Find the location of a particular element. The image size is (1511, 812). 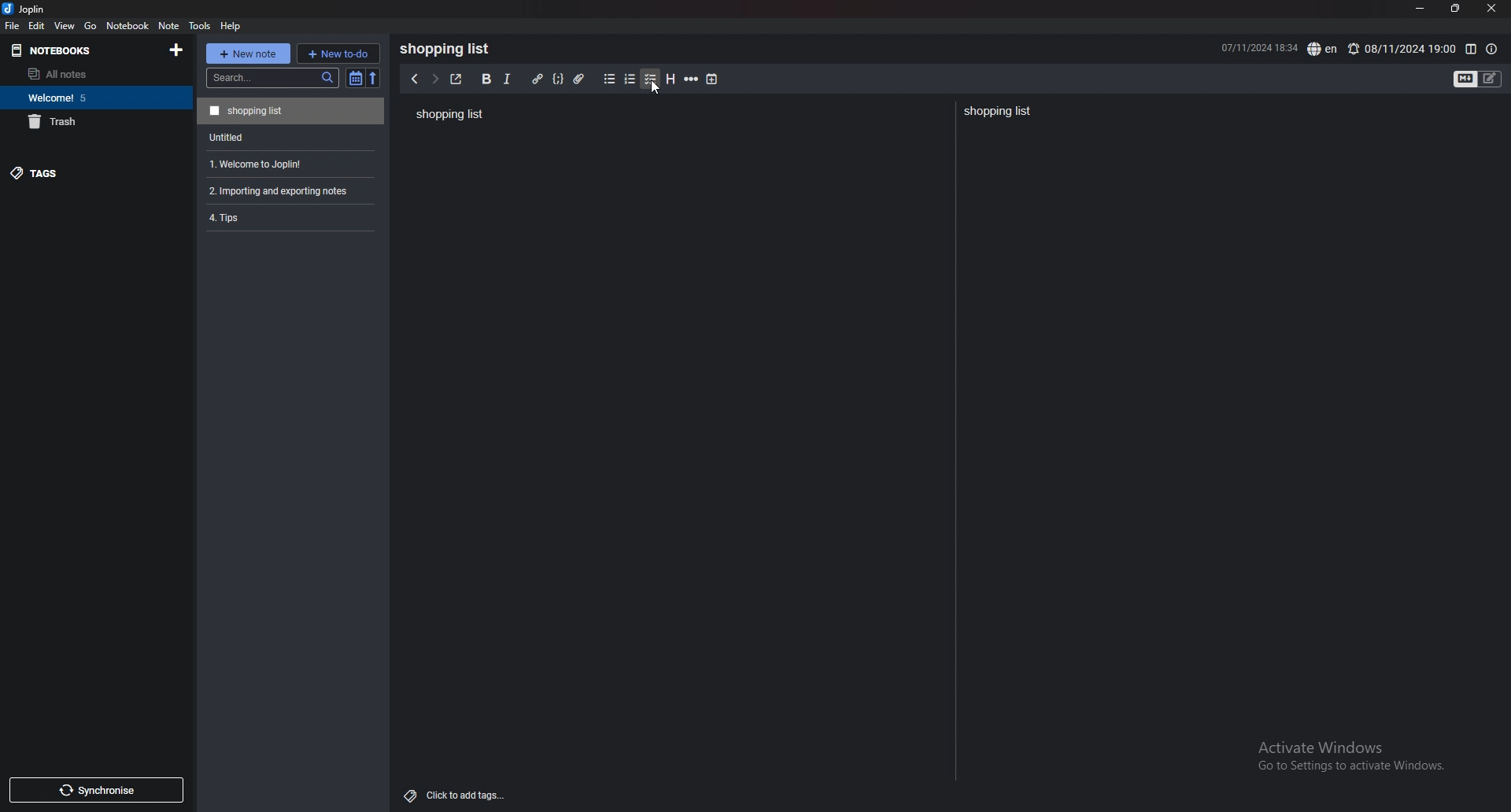

horizontal rule is located at coordinates (691, 79).